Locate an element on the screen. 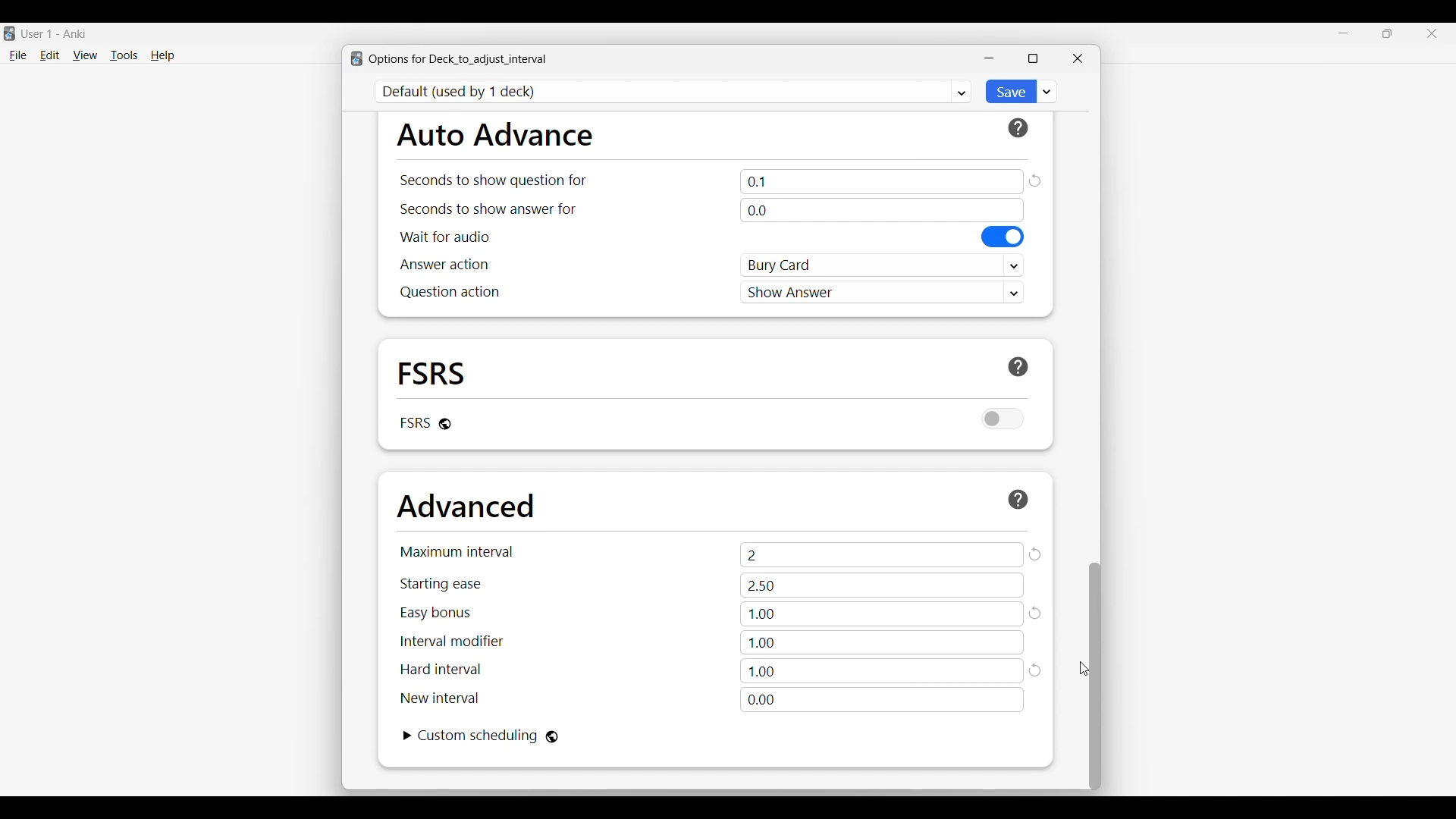 This screenshot has height=819, width=1456. Click to close window is located at coordinates (1078, 58).